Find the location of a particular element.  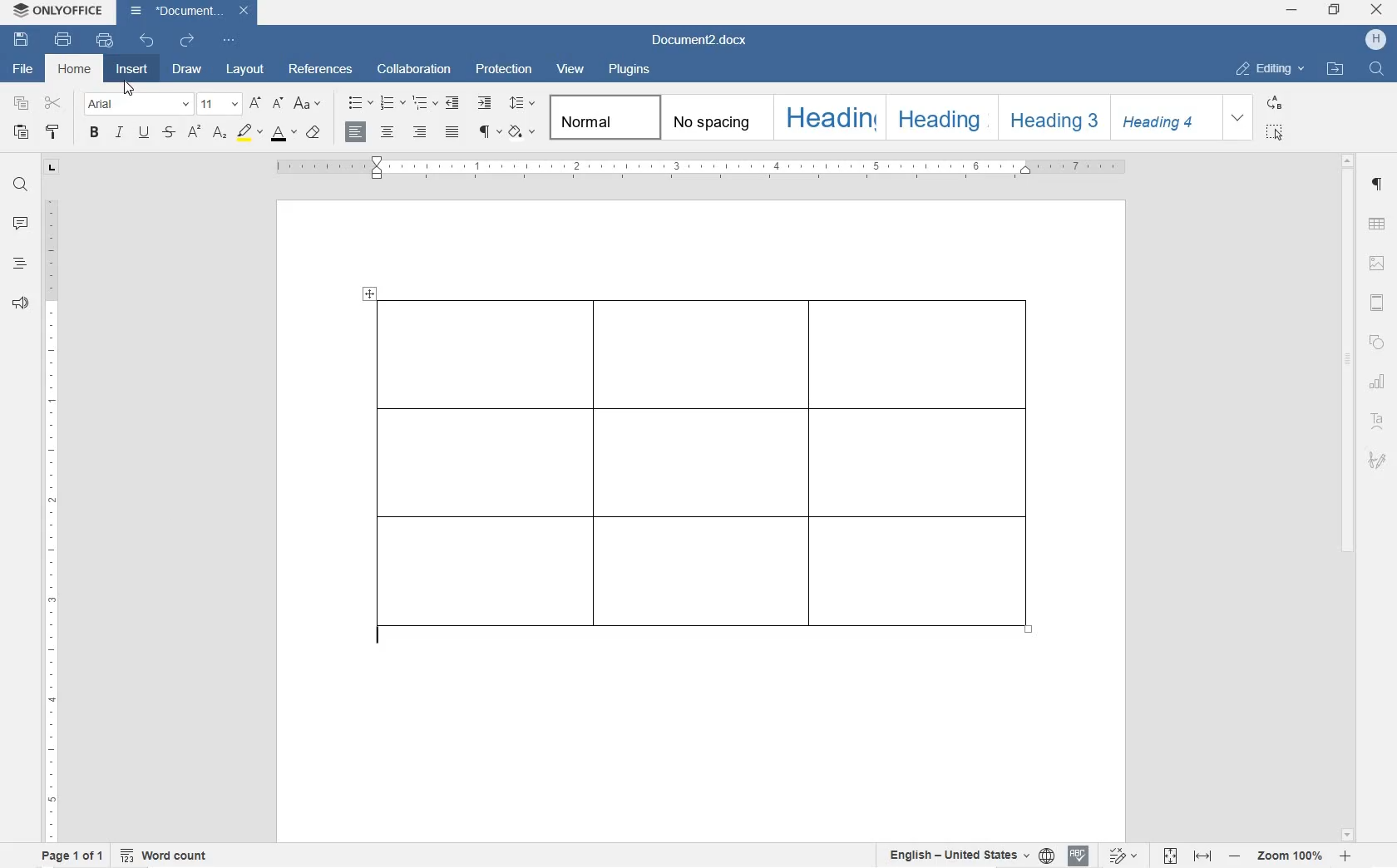

table is located at coordinates (712, 479).